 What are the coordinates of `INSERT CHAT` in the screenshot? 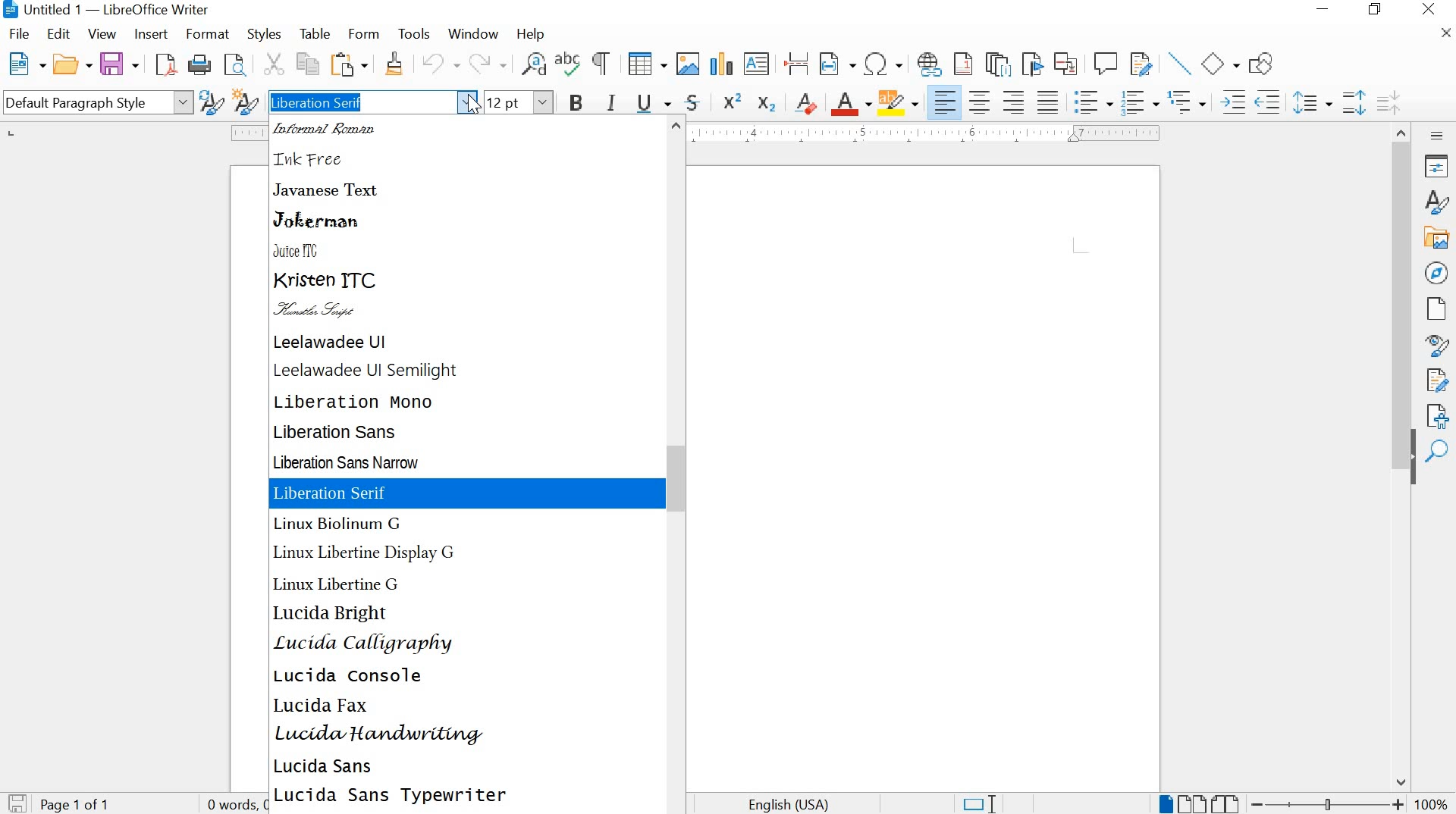 It's located at (720, 64).